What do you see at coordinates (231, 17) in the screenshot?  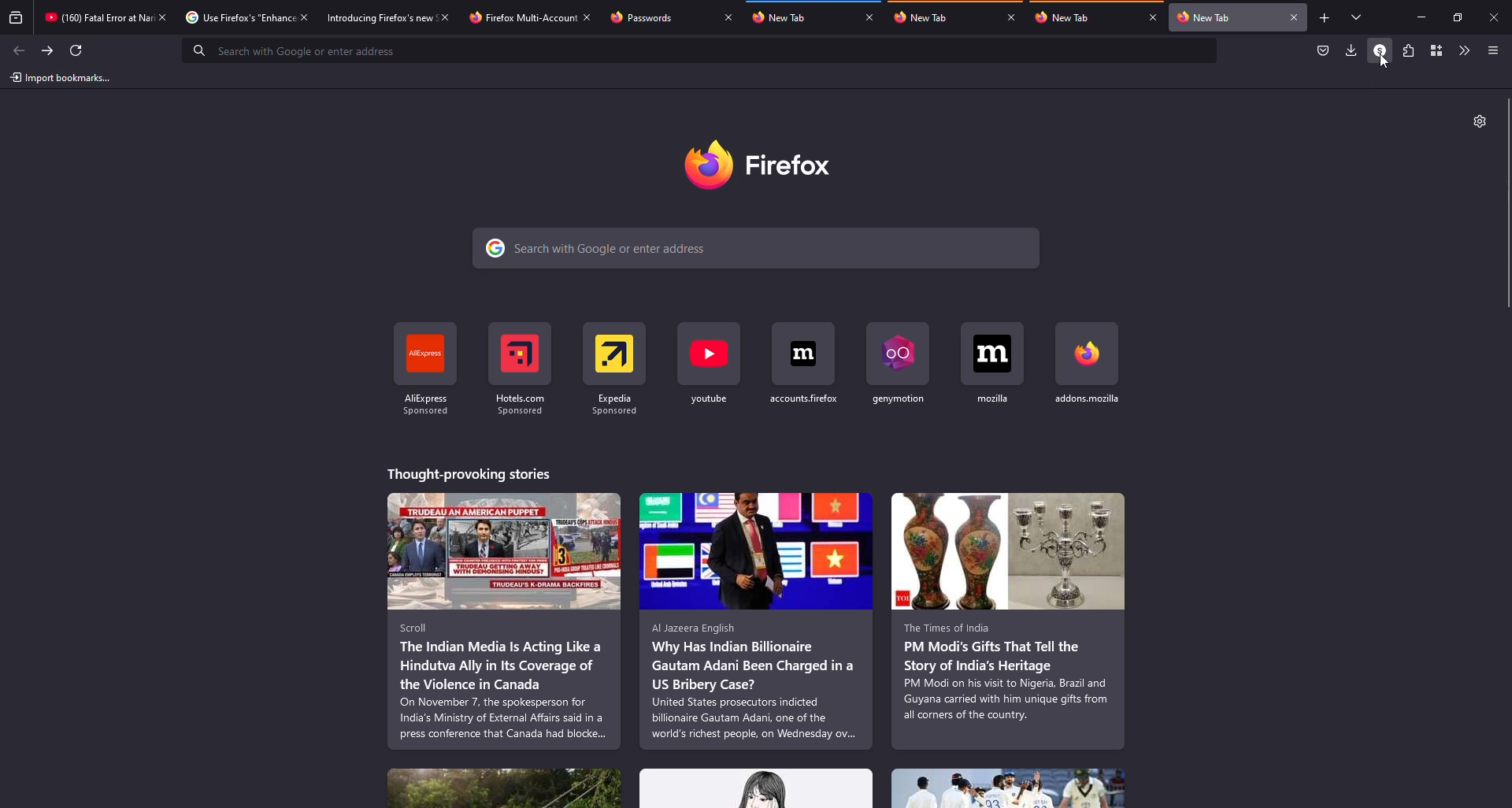 I see `tab` at bounding box center [231, 17].